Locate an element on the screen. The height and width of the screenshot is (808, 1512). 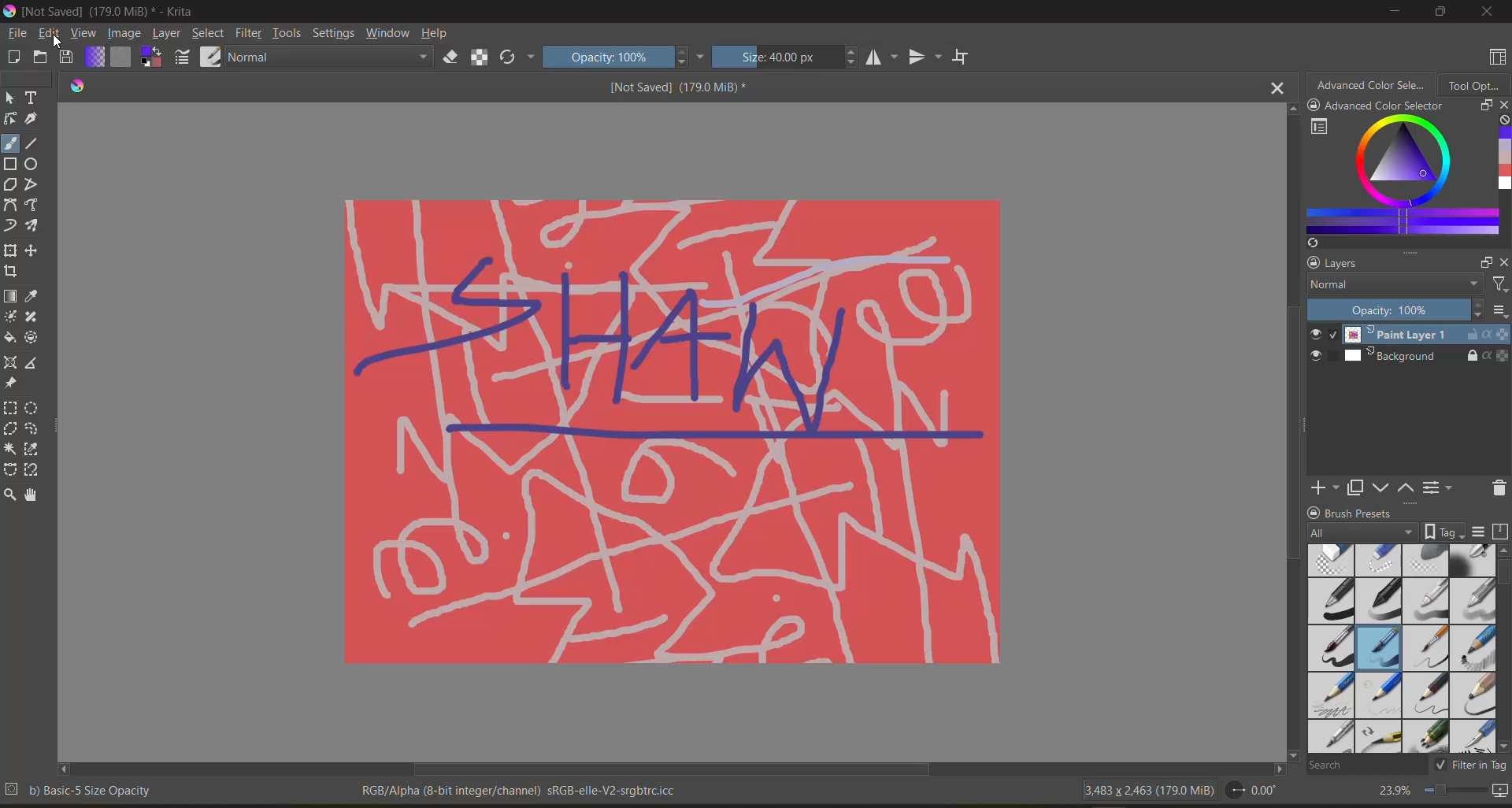
Freehand selection tool is located at coordinates (36, 428).